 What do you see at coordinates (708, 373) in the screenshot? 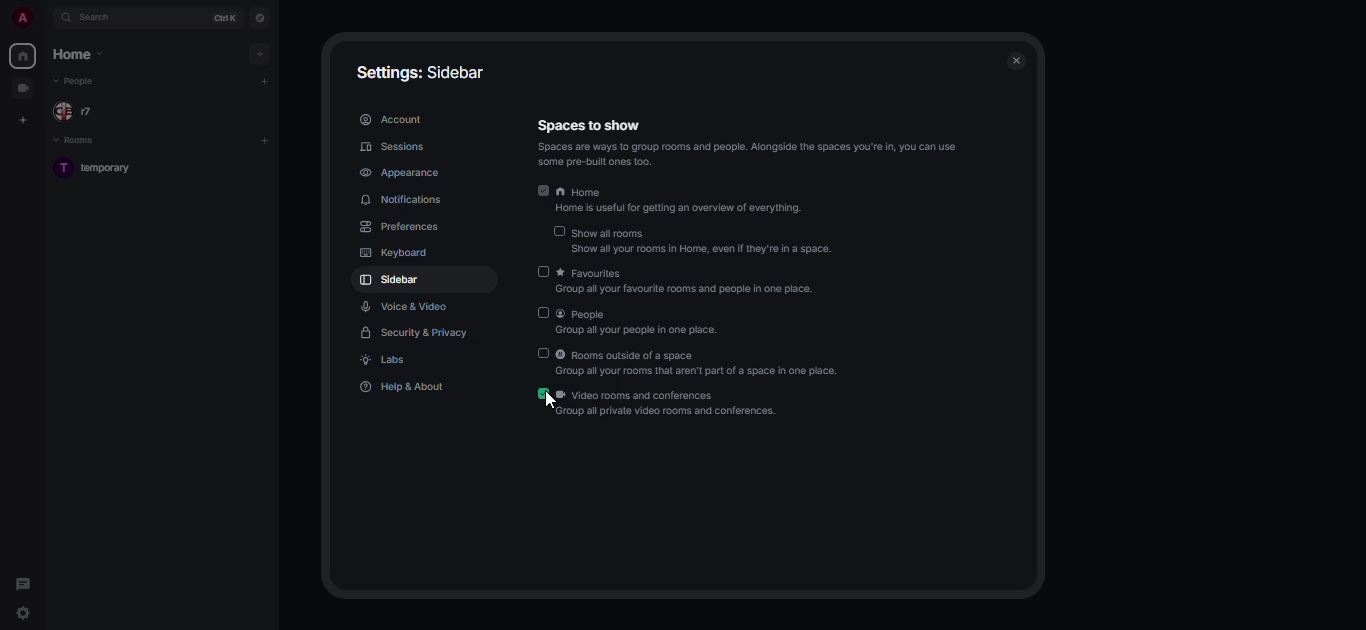
I see `Group all your rooms that aren't part of a space in one place.` at bounding box center [708, 373].